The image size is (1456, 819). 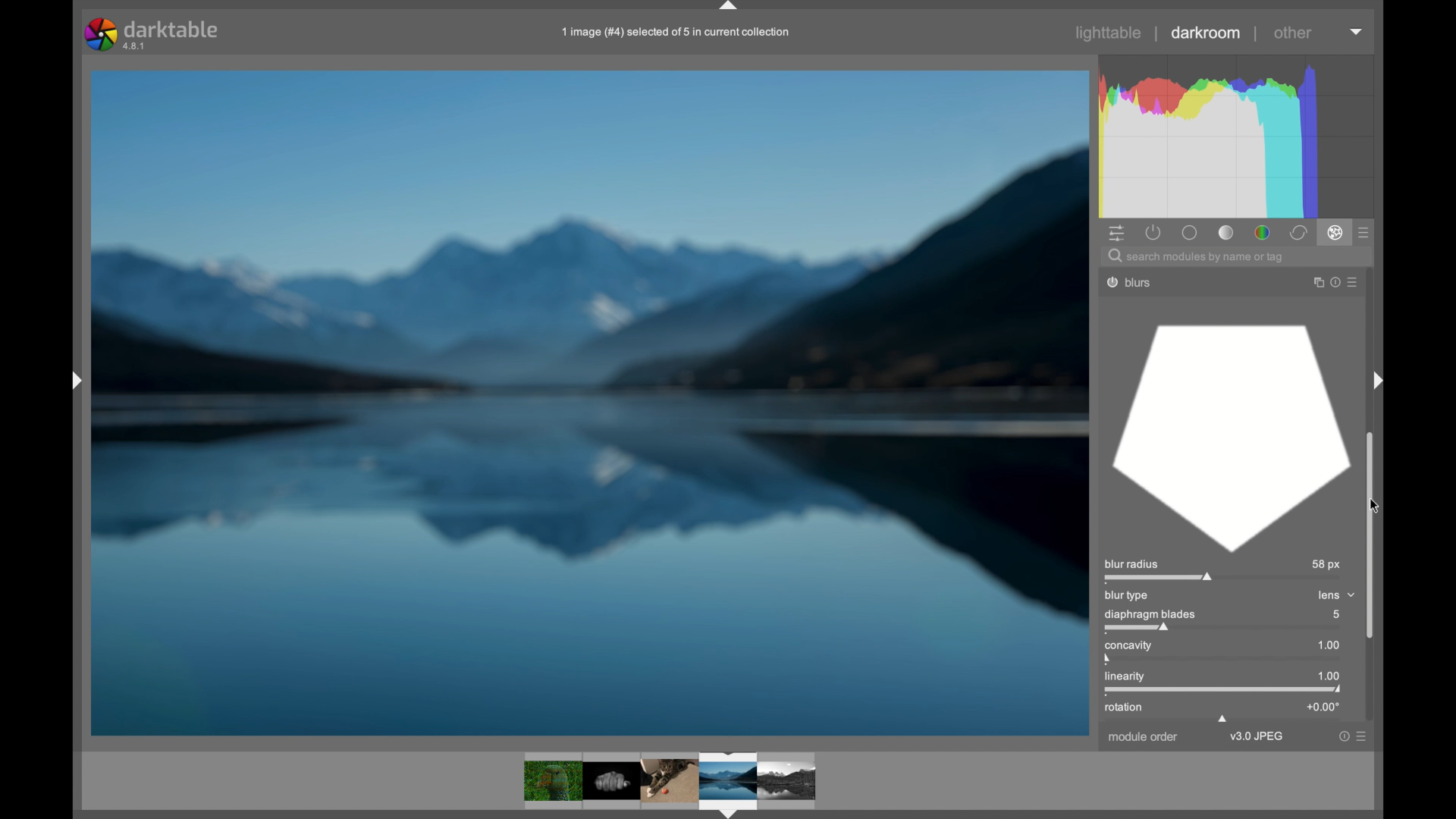 I want to click on , so click(x=1379, y=381).